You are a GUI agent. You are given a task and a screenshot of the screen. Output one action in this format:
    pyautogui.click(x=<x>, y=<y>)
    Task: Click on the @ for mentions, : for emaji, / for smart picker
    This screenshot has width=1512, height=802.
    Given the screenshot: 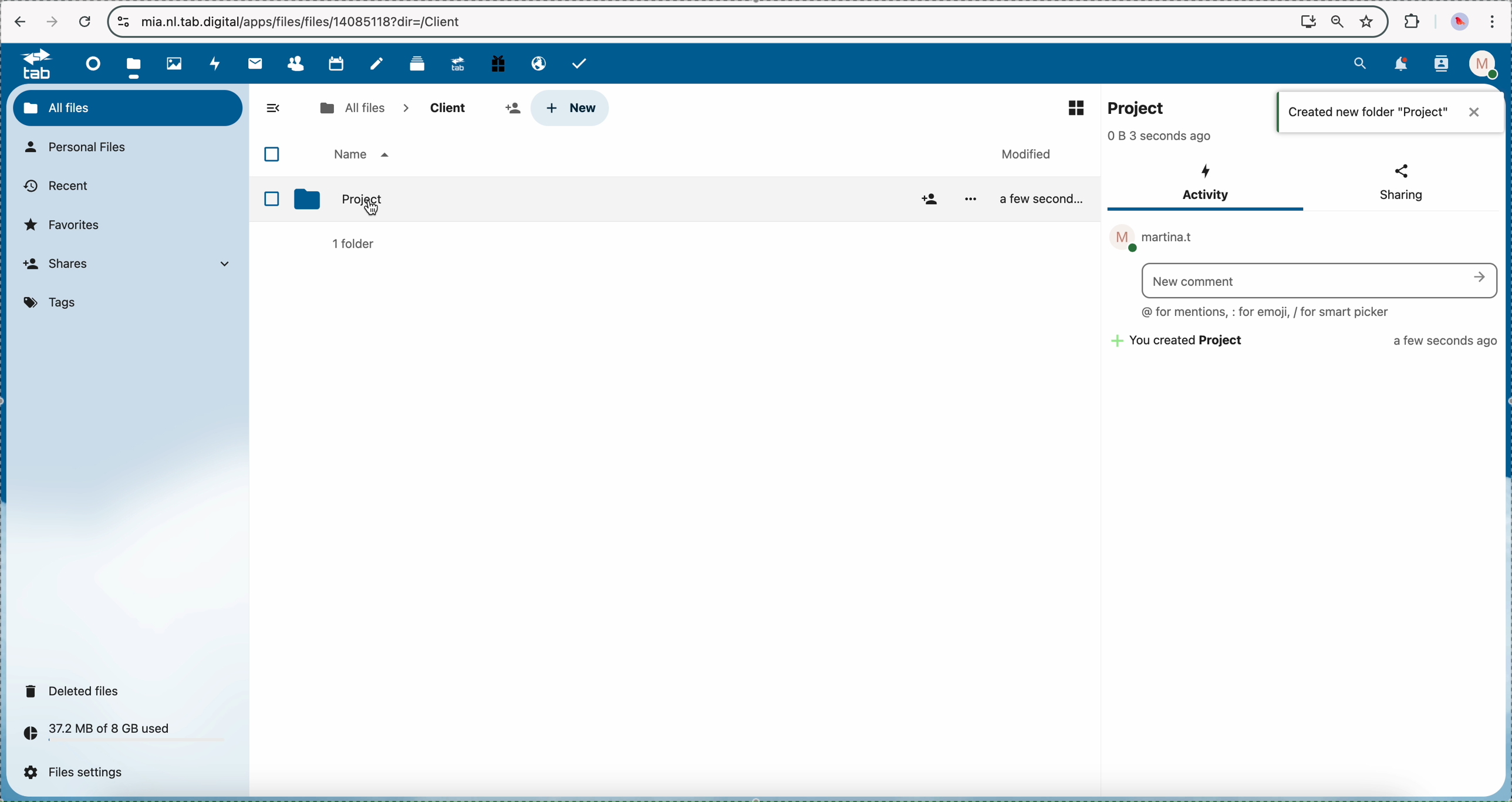 What is the action you would take?
    pyautogui.click(x=1265, y=314)
    